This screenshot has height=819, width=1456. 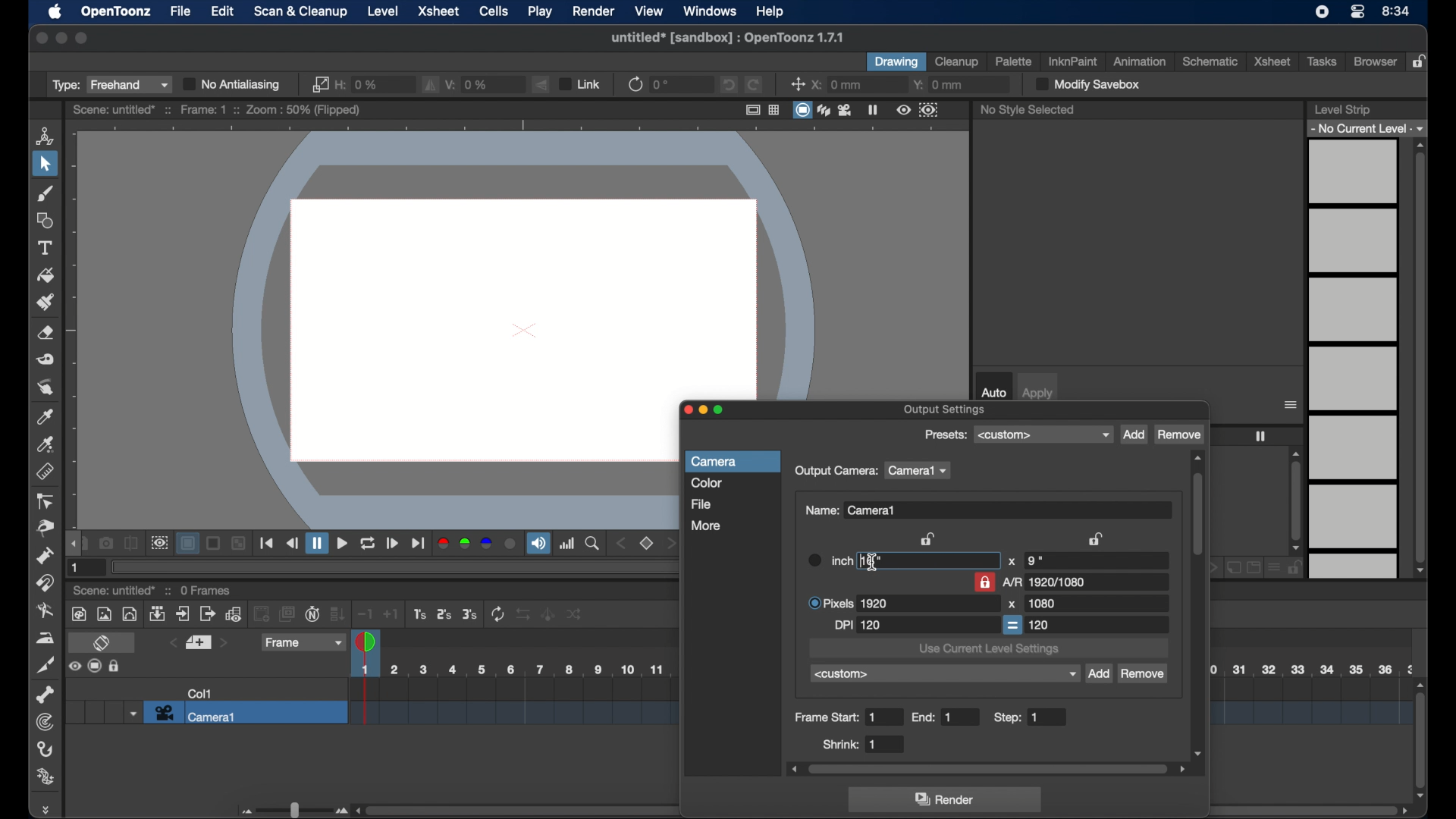 What do you see at coordinates (477, 544) in the screenshot?
I see `color channels` at bounding box center [477, 544].